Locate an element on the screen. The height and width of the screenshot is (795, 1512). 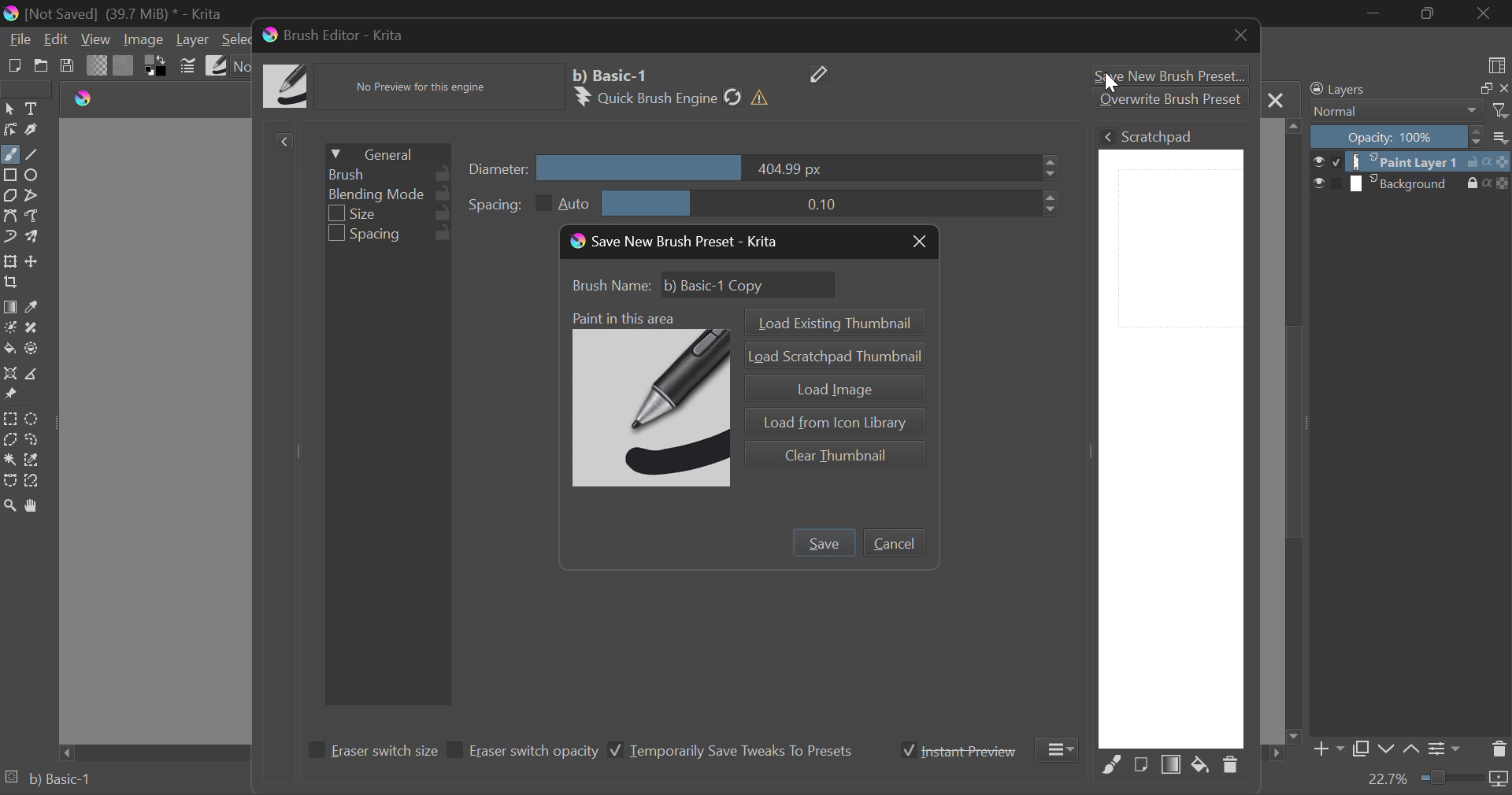
Measurement is located at coordinates (34, 373).